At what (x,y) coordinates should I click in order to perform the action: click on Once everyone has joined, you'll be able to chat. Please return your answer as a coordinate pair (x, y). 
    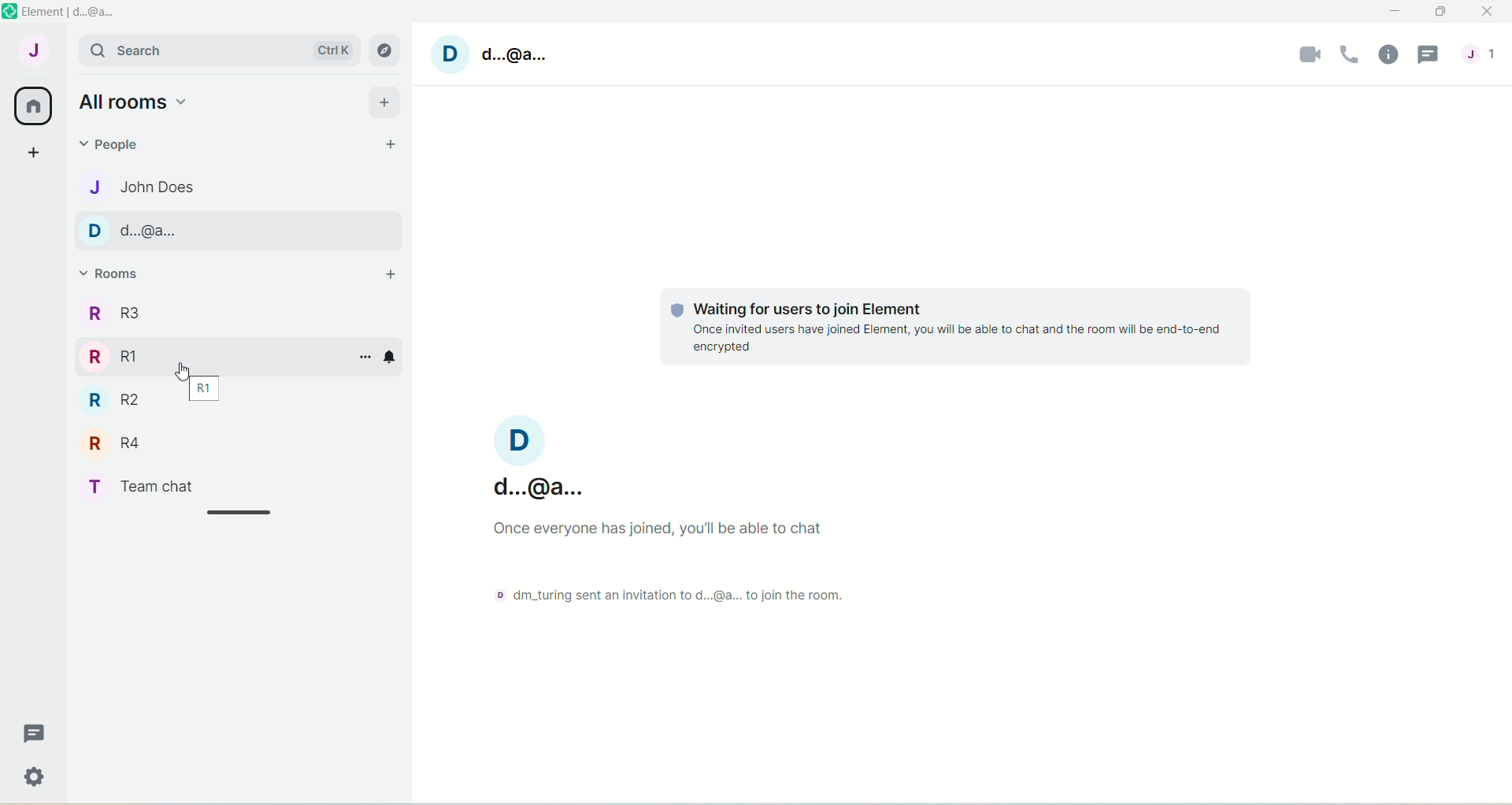
    Looking at the image, I should click on (659, 532).